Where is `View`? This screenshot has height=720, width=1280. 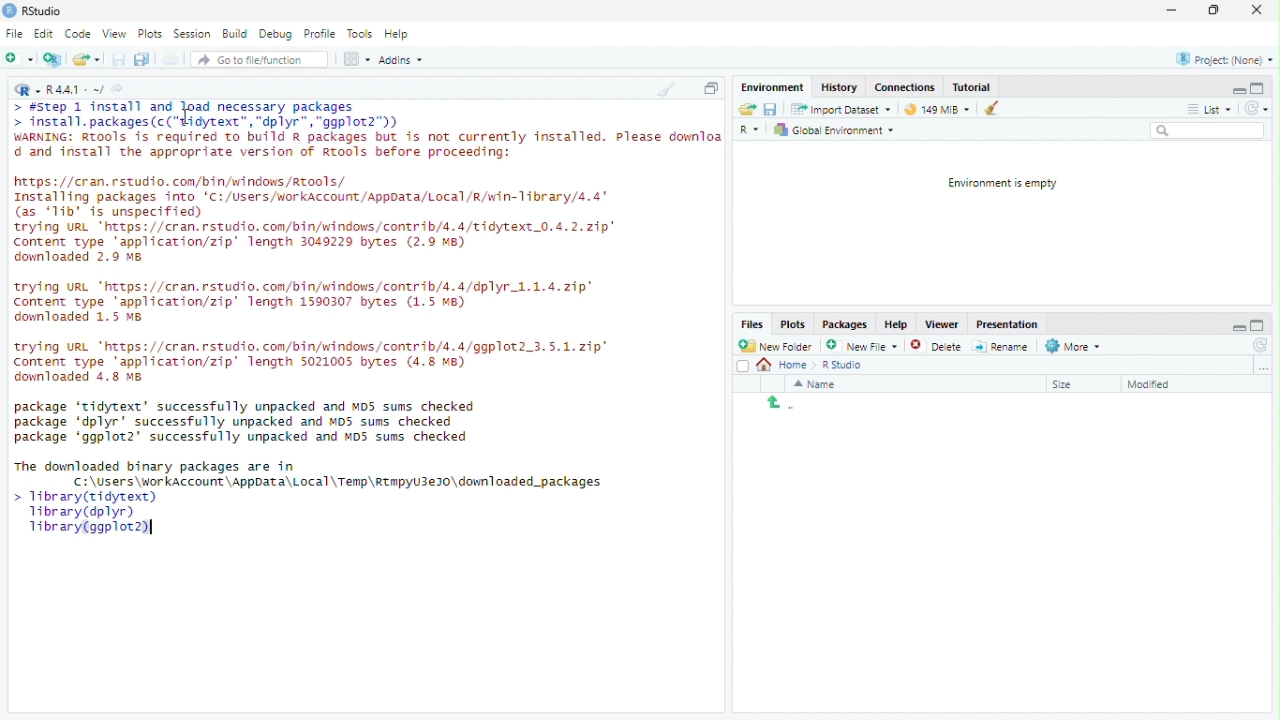
View is located at coordinates (114, 34).